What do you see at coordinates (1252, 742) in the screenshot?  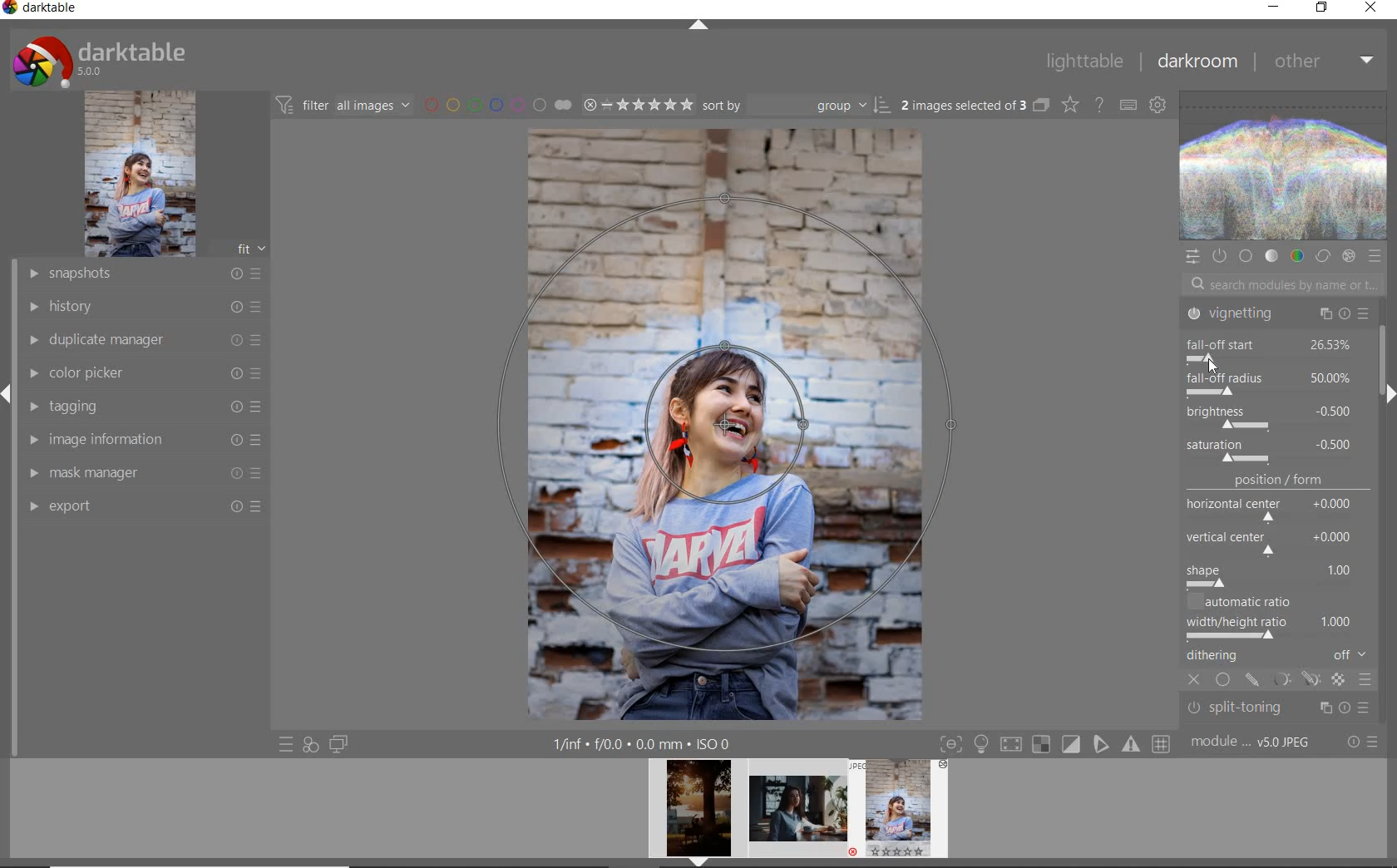 I see `module order` at bounding box center [1252, 742].